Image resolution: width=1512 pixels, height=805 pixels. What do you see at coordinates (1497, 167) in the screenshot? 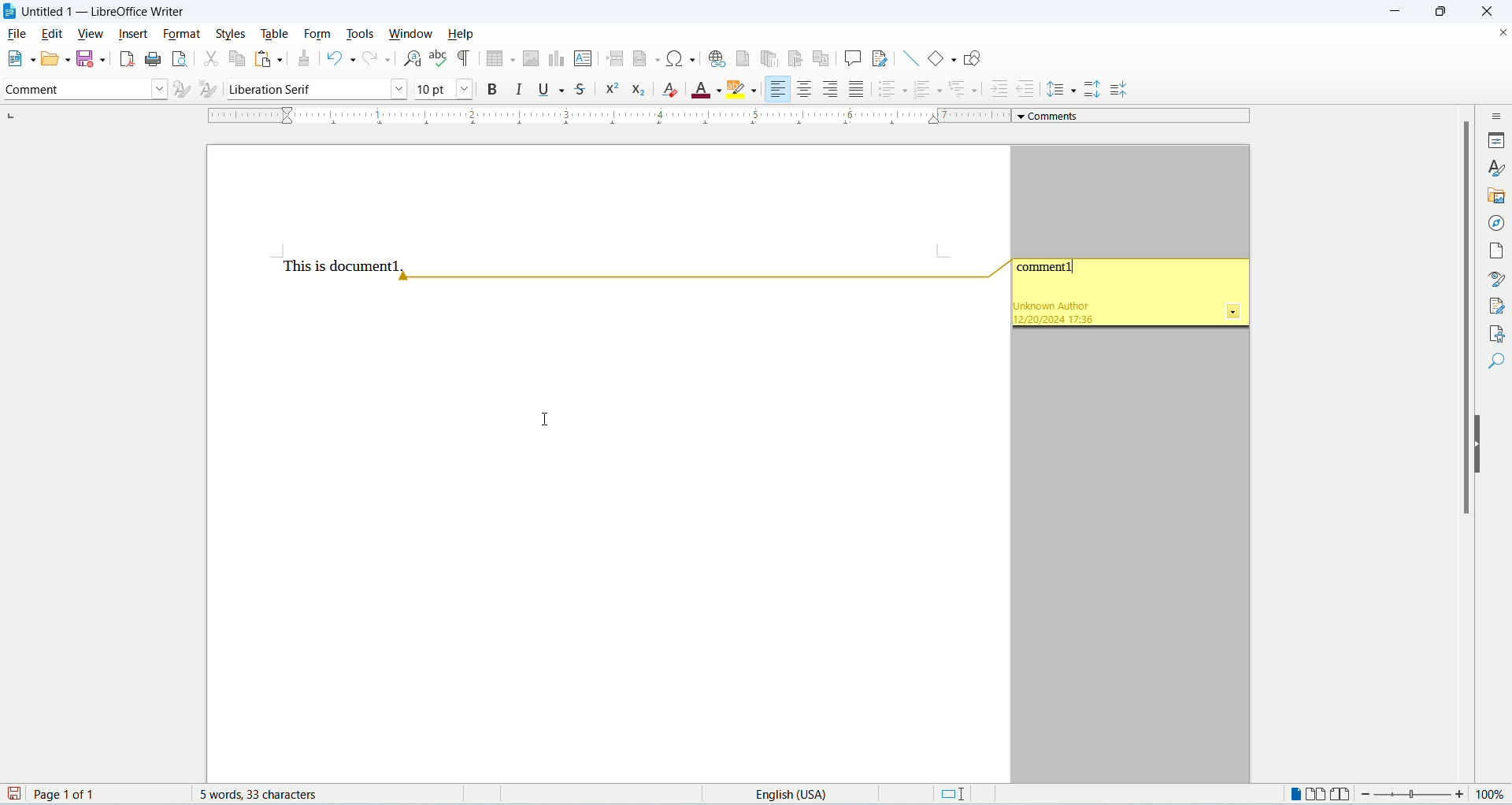
I see `styles` at bounding box center [1497, 167].